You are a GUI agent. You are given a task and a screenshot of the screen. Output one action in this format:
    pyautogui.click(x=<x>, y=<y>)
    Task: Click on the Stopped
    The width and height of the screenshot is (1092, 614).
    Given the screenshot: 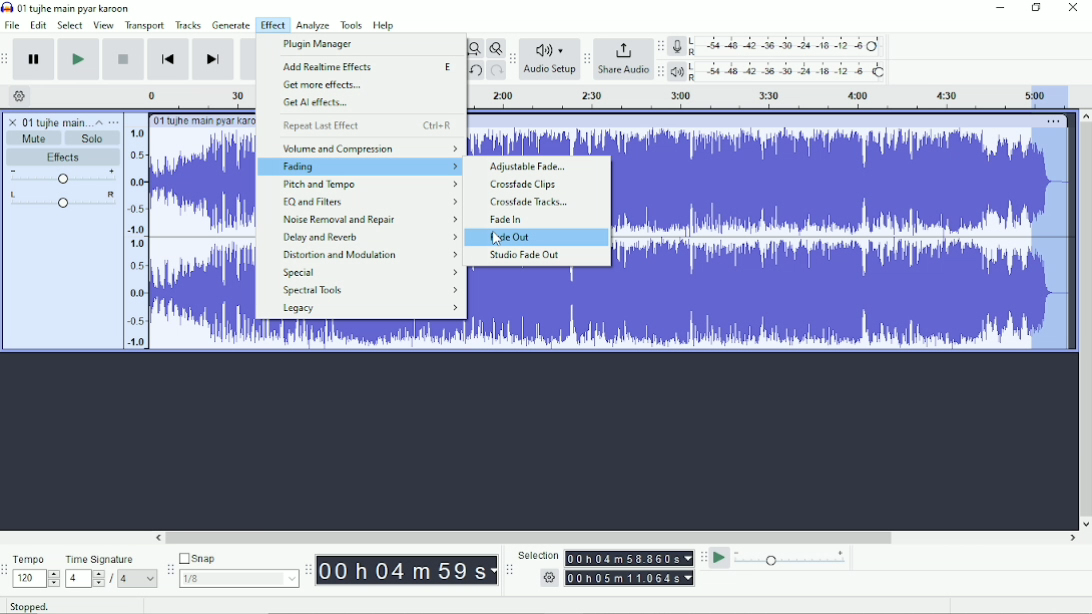 What is the action you would take?
    pyautogui.click(x=27, y=607)
    